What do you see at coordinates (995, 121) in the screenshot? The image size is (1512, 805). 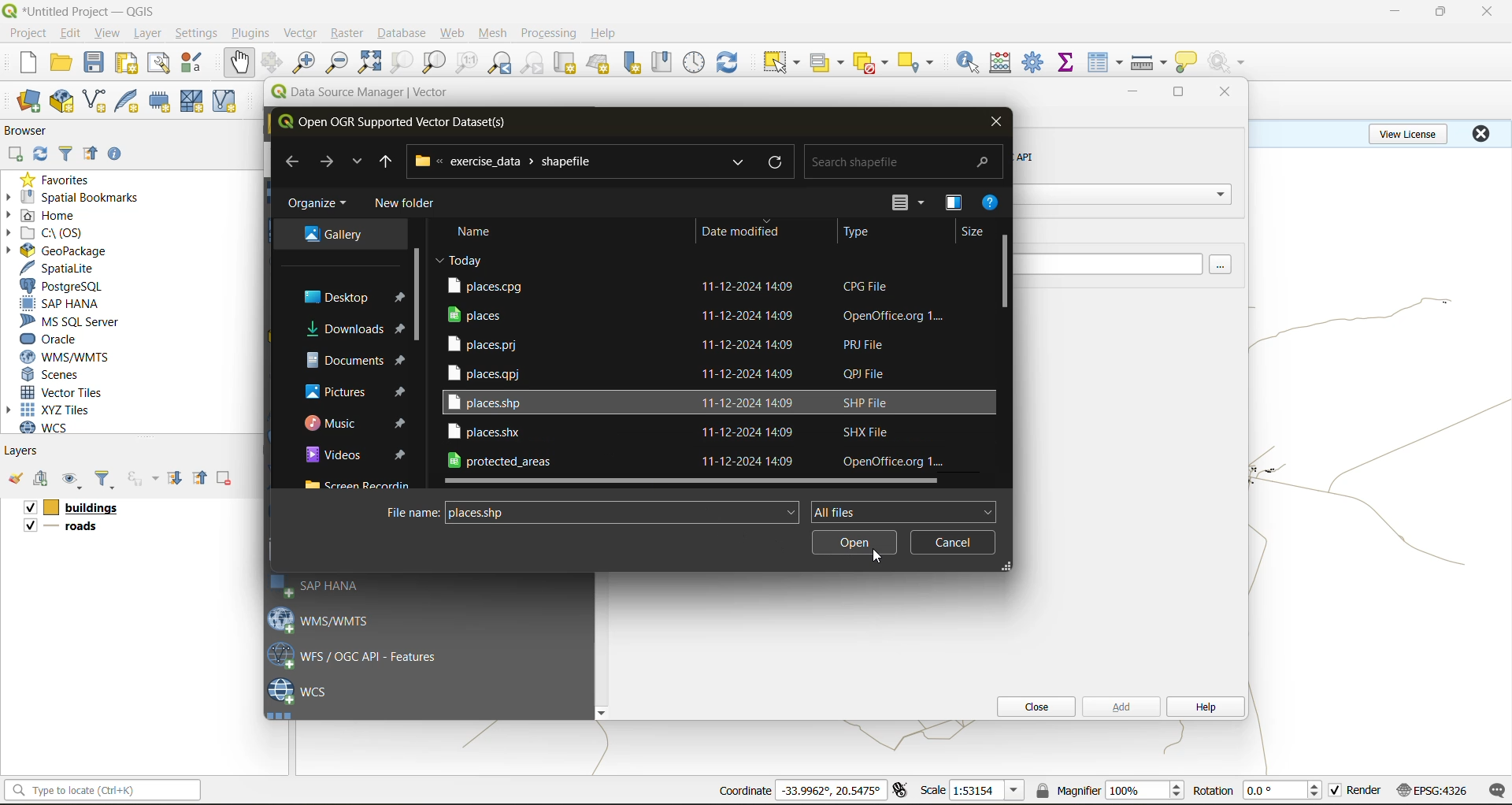 I see `close` at bounding box center [995, 121].